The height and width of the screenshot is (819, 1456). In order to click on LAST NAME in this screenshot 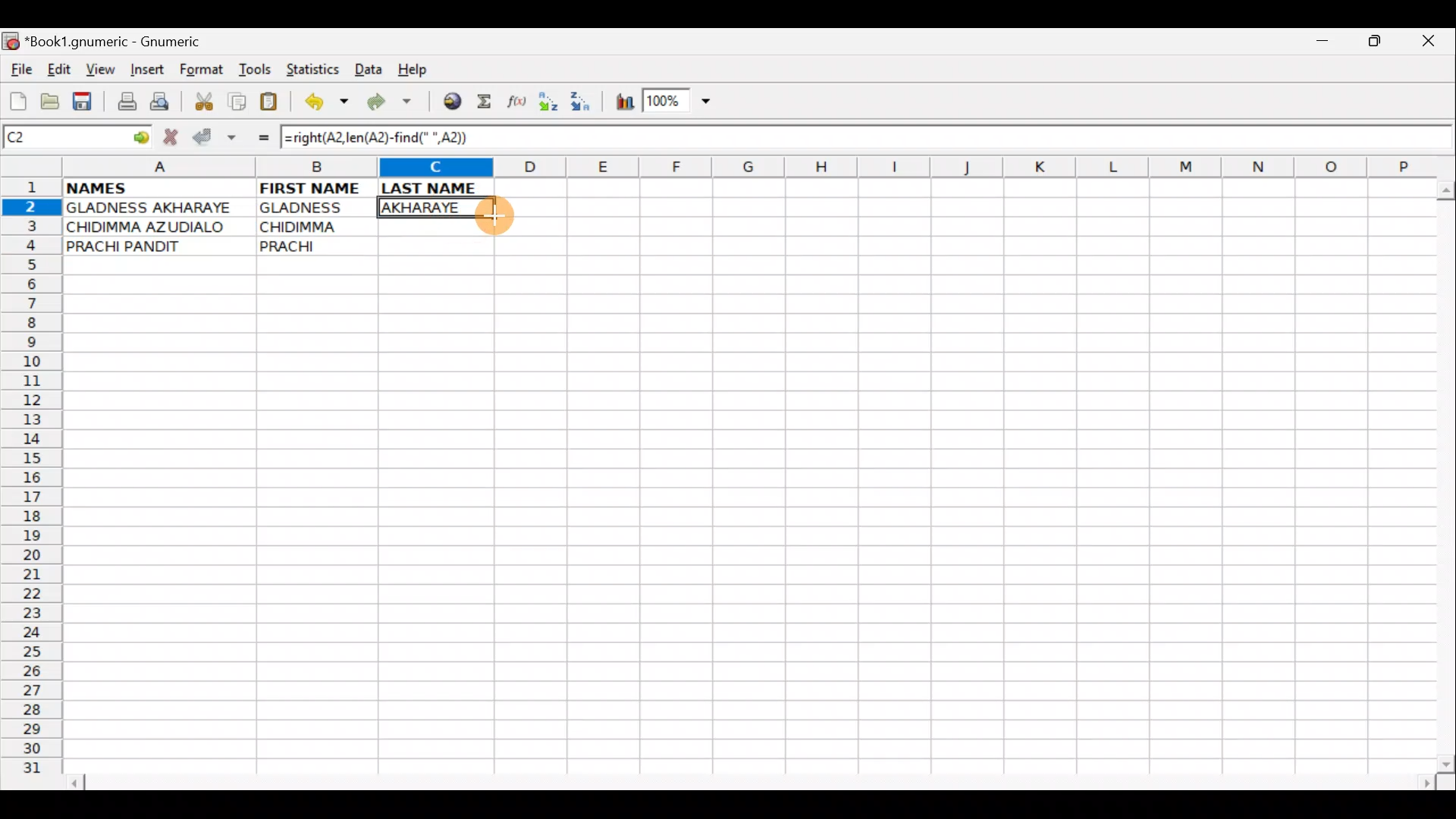, I will do `click(438, 190)`.